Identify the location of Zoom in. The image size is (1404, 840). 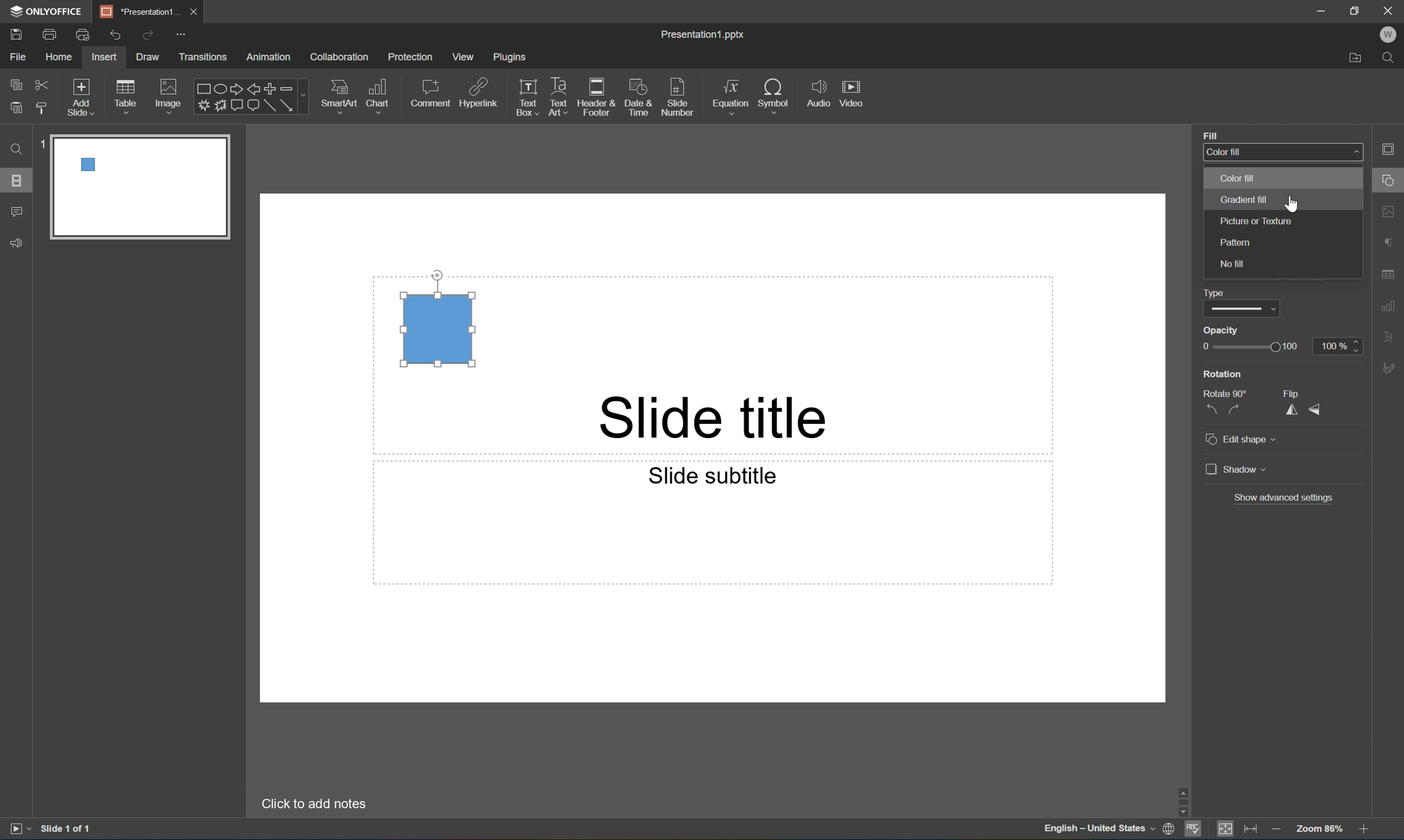
(1367, 829).